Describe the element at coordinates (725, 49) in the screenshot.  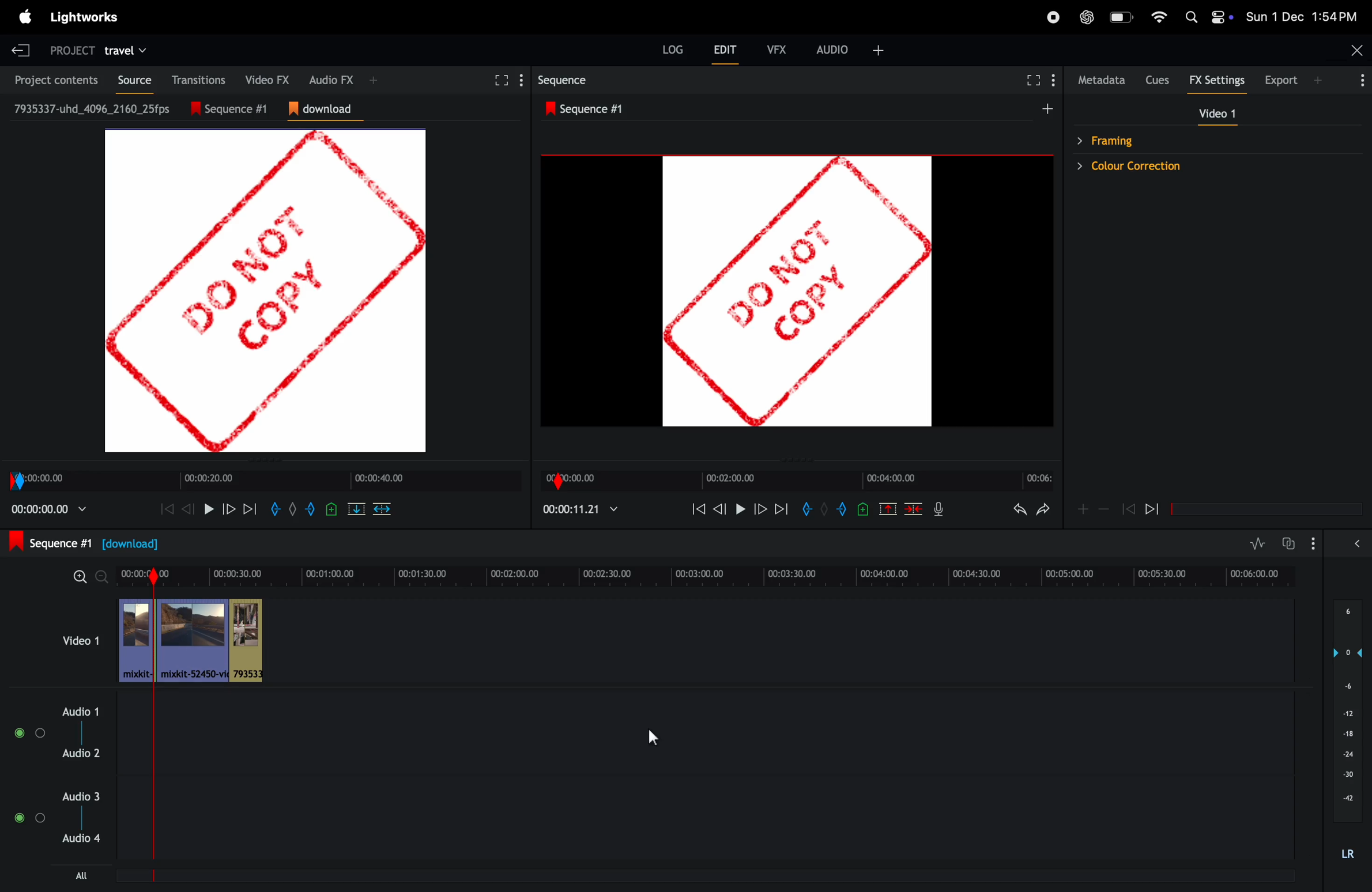
I see `edit` at that location.